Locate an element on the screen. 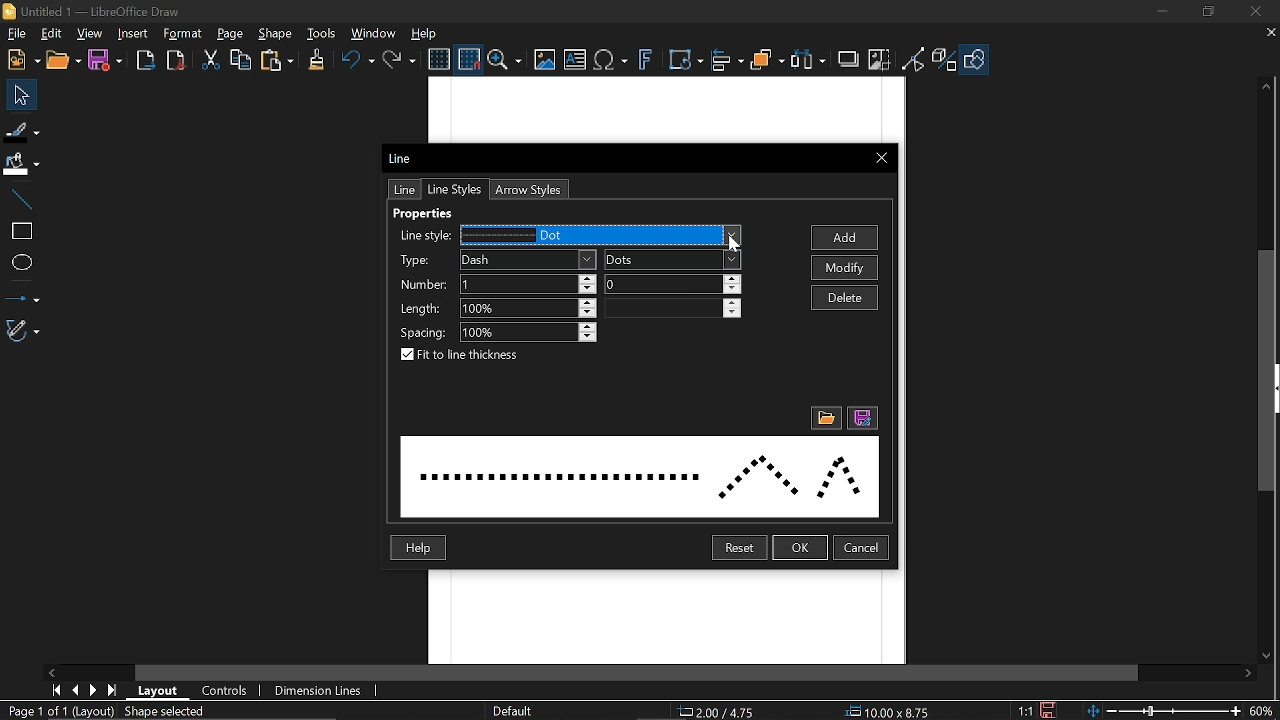 This screenshot has width=1280, height=720. Modify is located at coordinates (847, 268).